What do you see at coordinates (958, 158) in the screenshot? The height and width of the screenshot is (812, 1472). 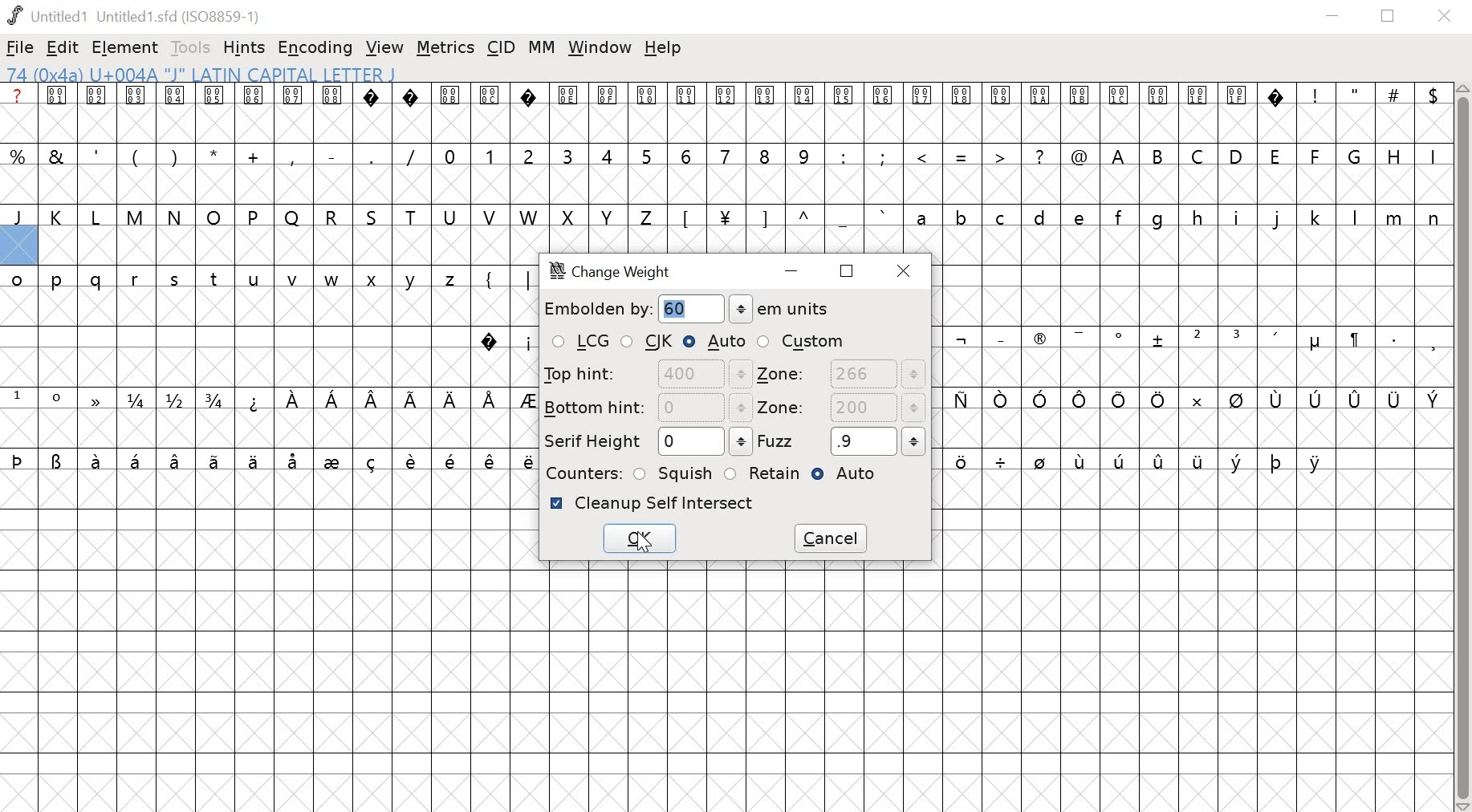 I see `special characters` at bounding box center [958, 158].